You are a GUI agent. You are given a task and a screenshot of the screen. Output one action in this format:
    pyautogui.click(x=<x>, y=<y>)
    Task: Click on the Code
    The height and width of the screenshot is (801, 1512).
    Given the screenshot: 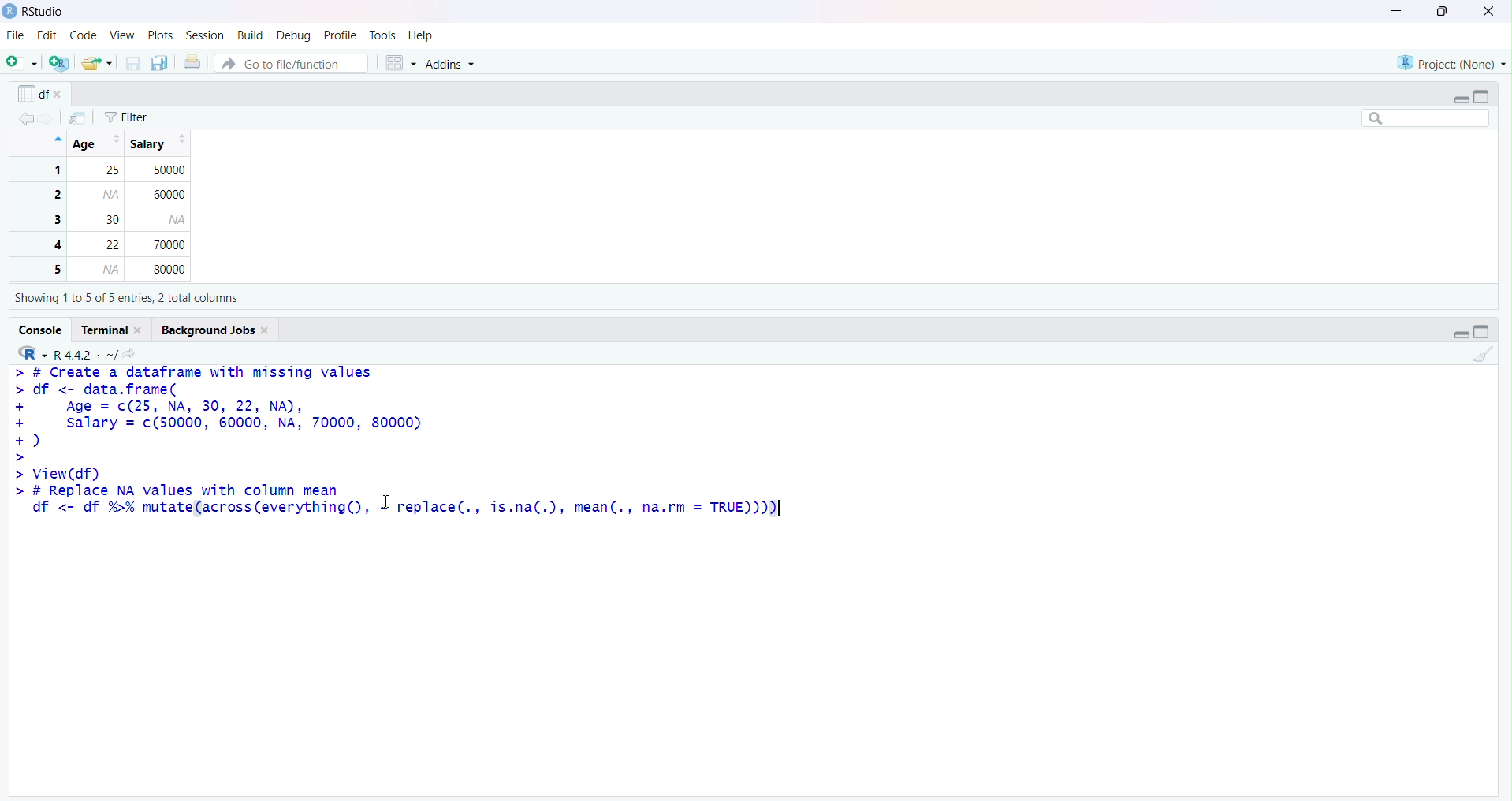 What is the action you would take?
    pyautogui.click(x=84, y=36)
    